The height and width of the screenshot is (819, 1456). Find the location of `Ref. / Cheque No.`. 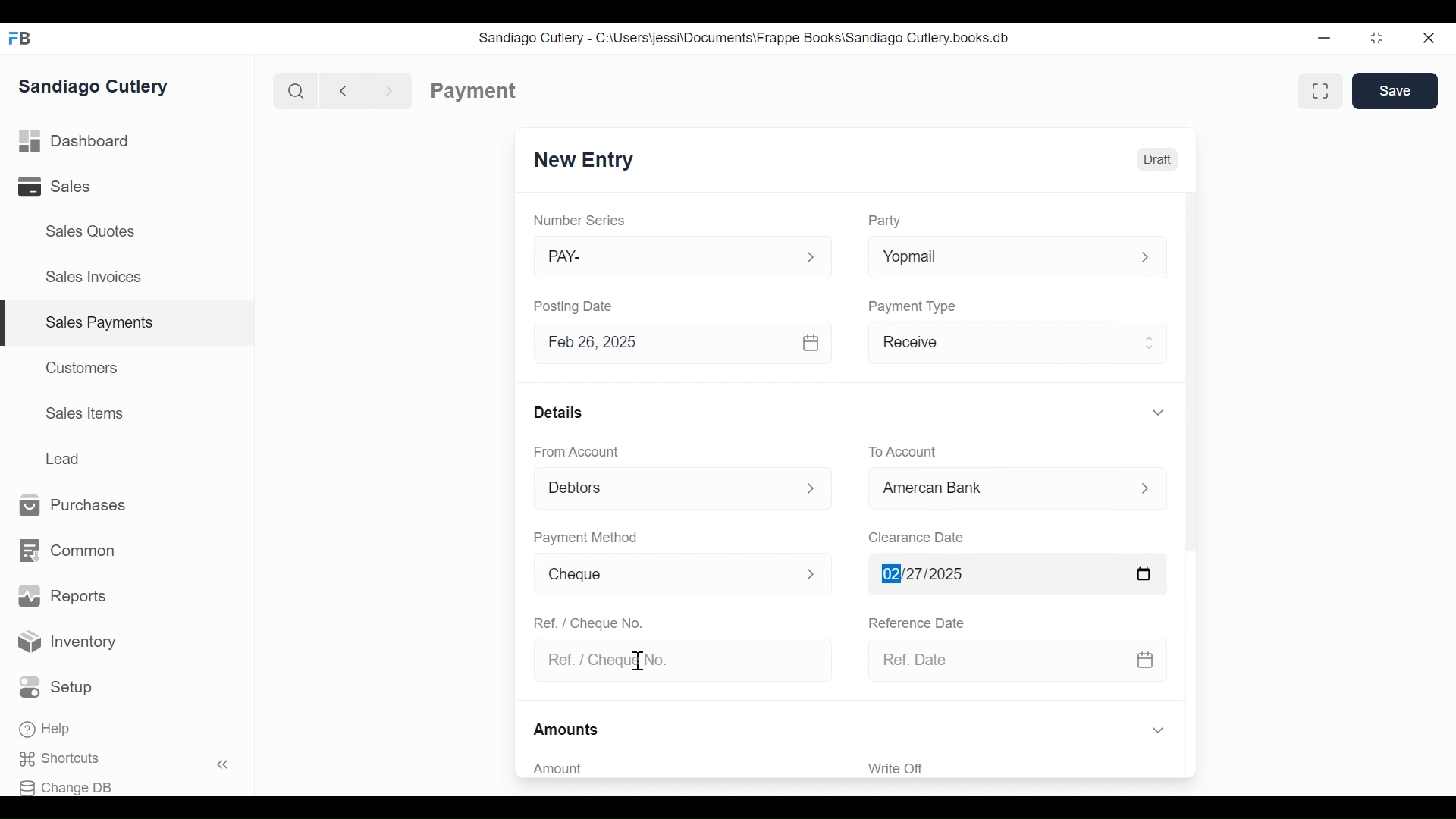

Ref. / Cheque No. is located at coordinates (587, 622).